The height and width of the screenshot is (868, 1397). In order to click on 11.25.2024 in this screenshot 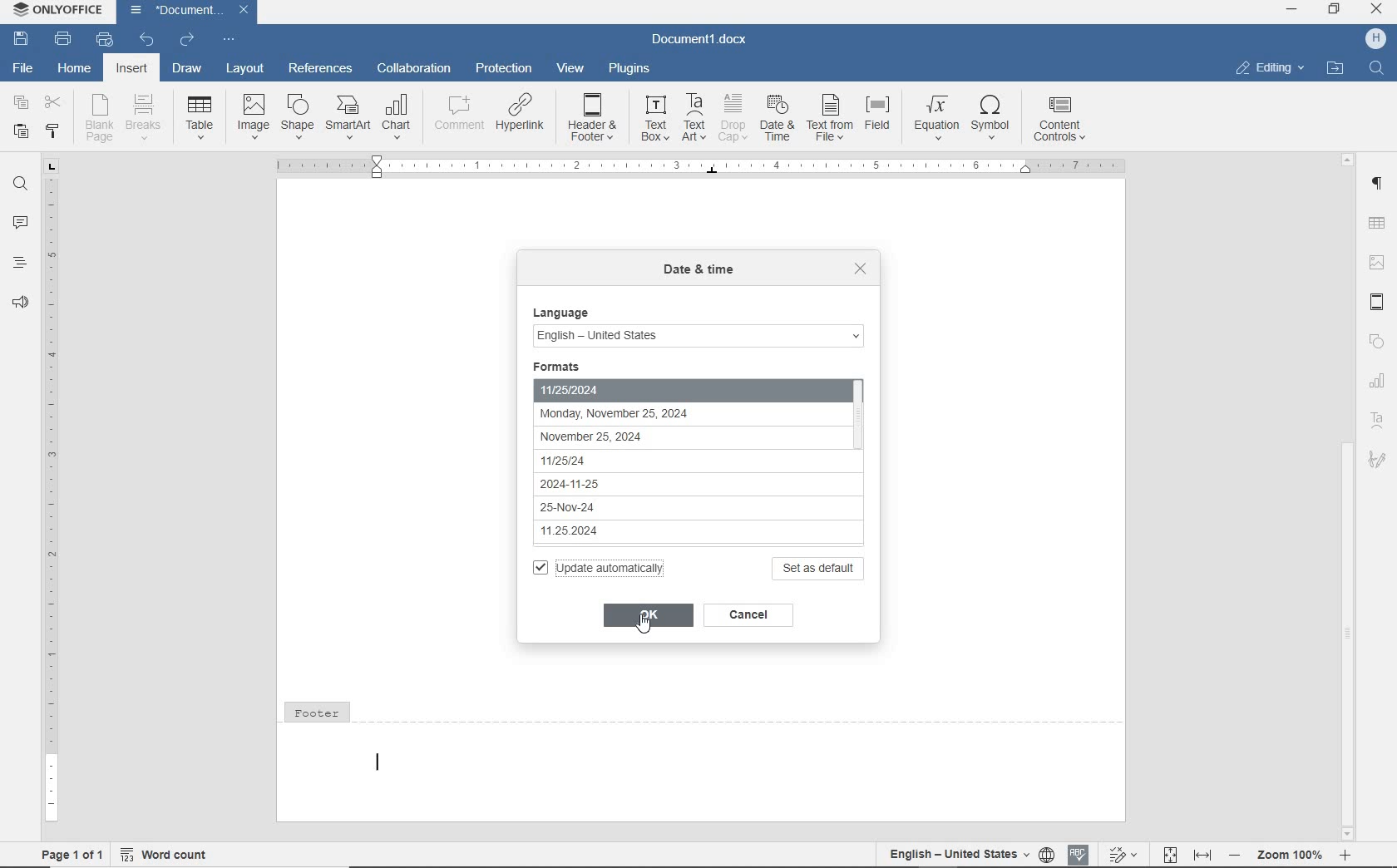, I will do `click(641, 531)`.